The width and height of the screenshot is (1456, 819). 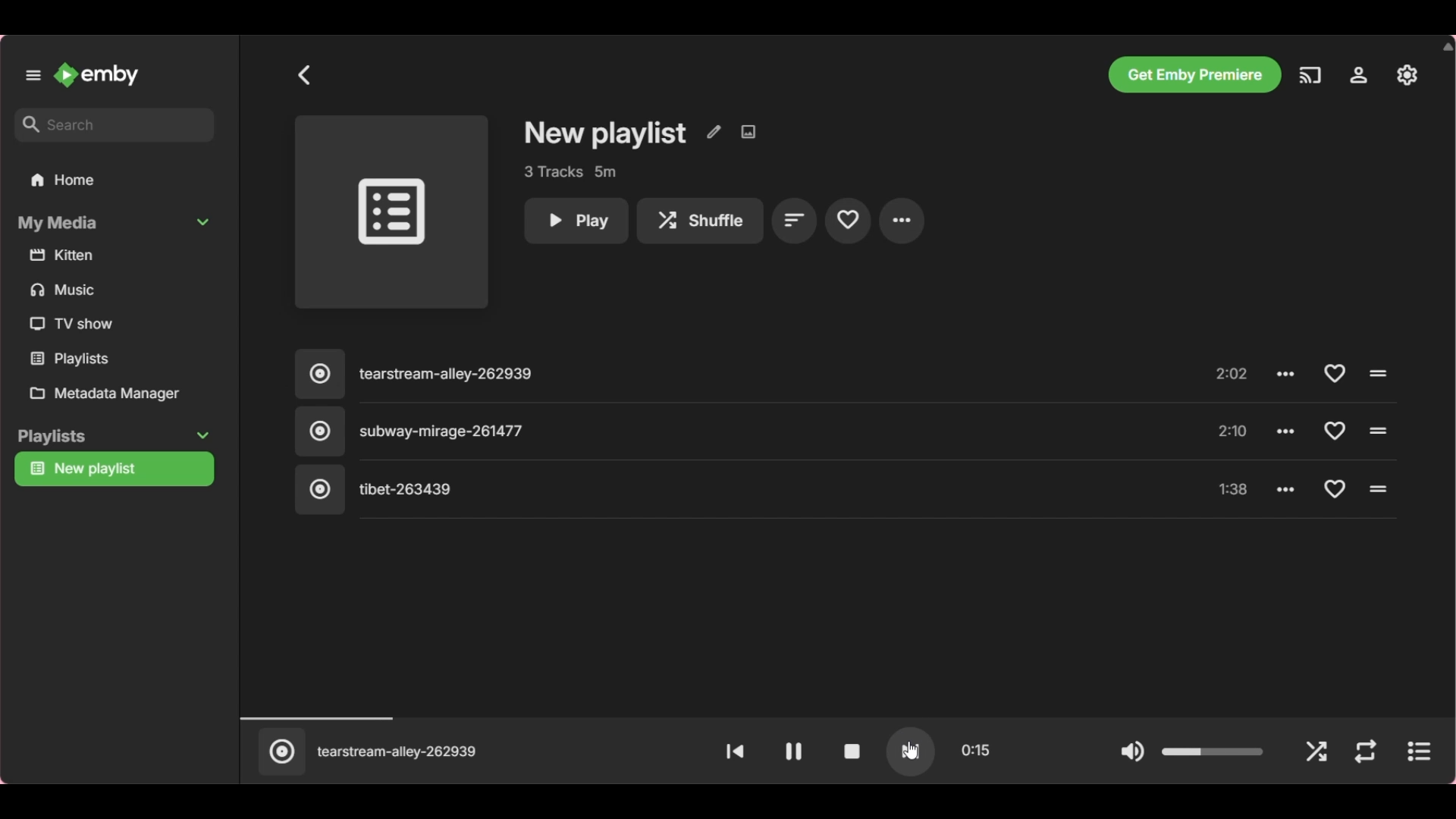 I want to click on Pause video, so click(x=793, y=751).